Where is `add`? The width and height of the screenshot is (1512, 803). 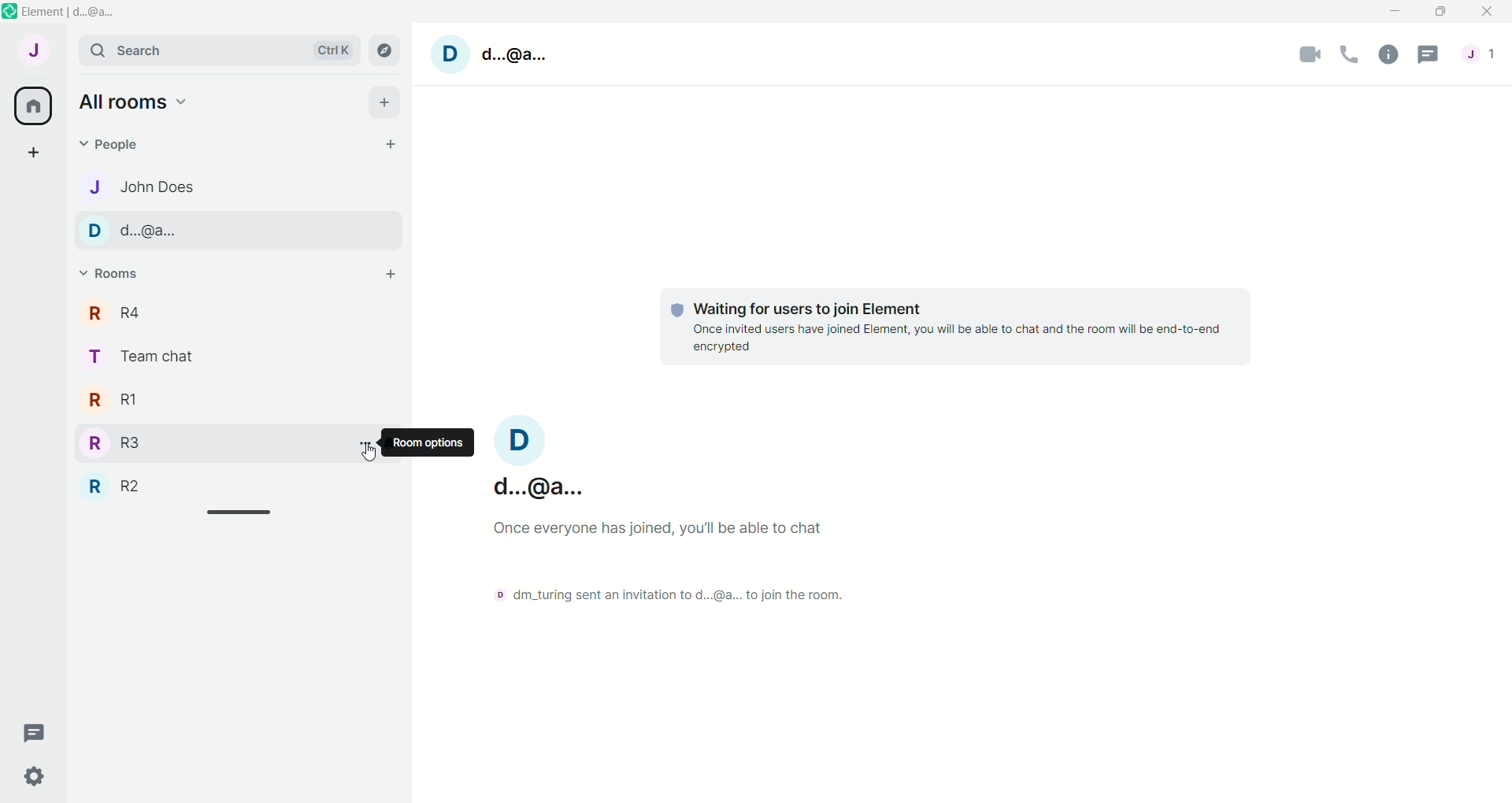
add is located at coordinates (387, 276).